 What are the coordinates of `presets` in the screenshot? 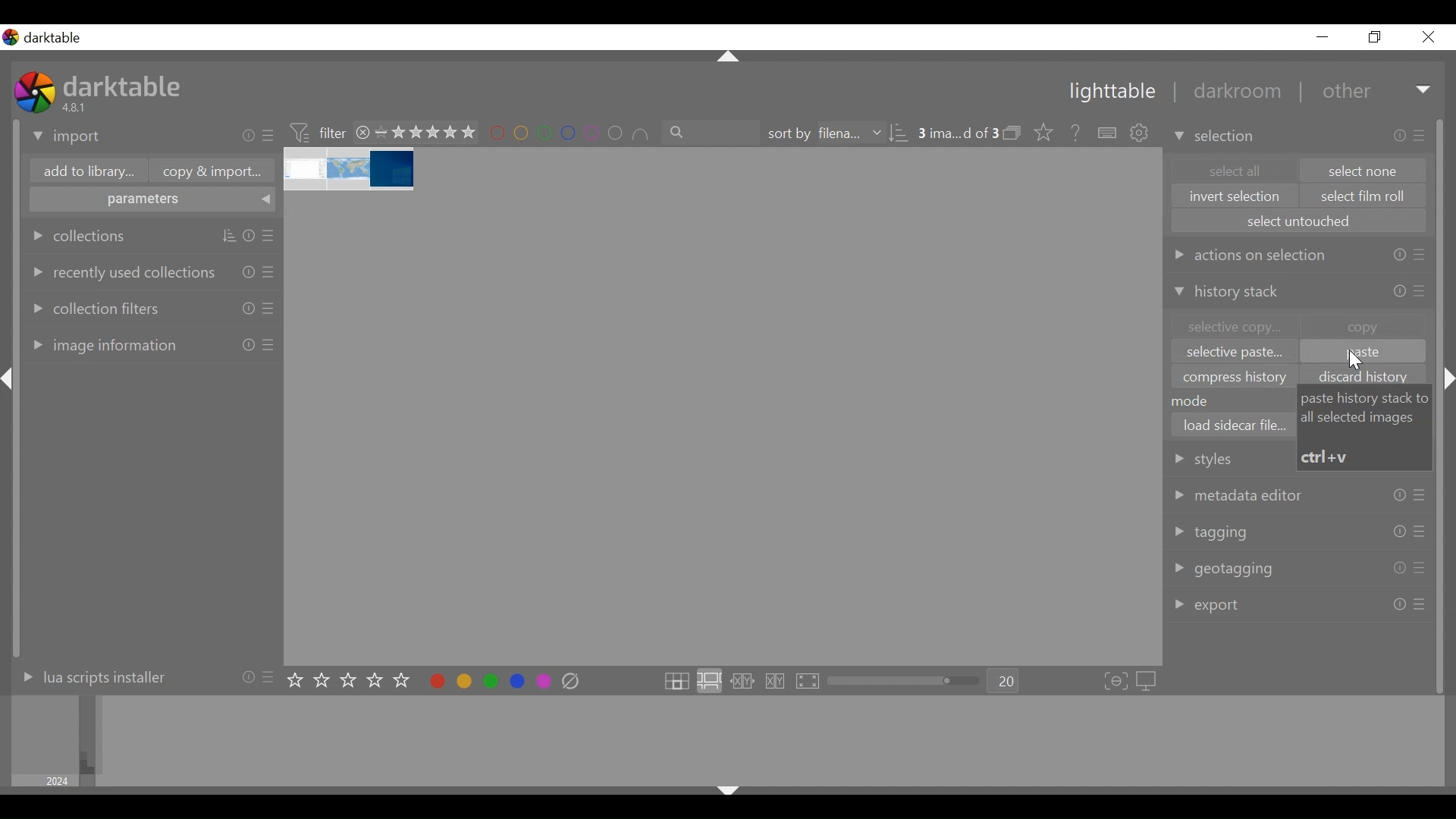 It's located at (270, 308).